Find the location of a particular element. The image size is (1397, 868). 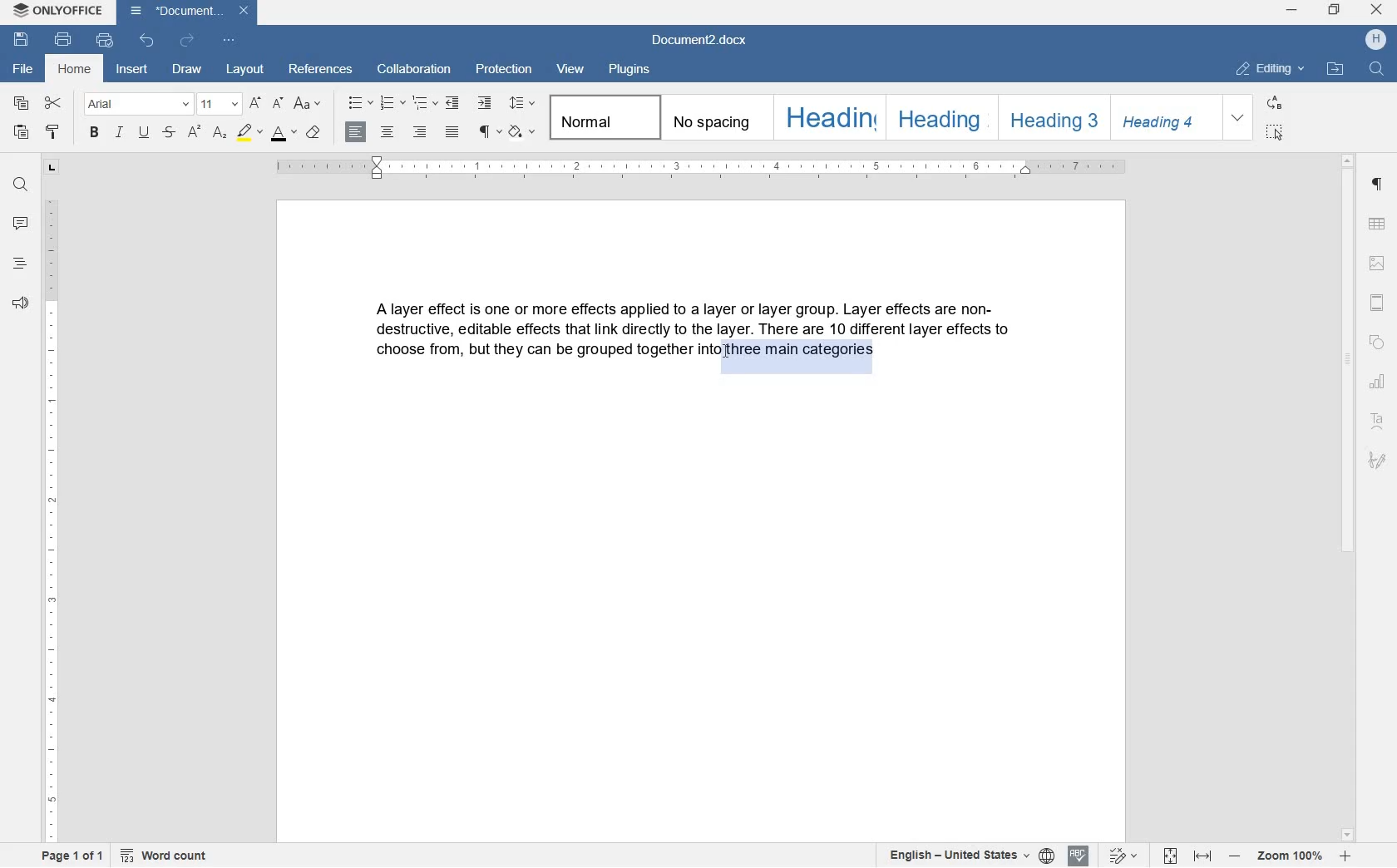

expand formatting style is located at coordinates (1238, 118).